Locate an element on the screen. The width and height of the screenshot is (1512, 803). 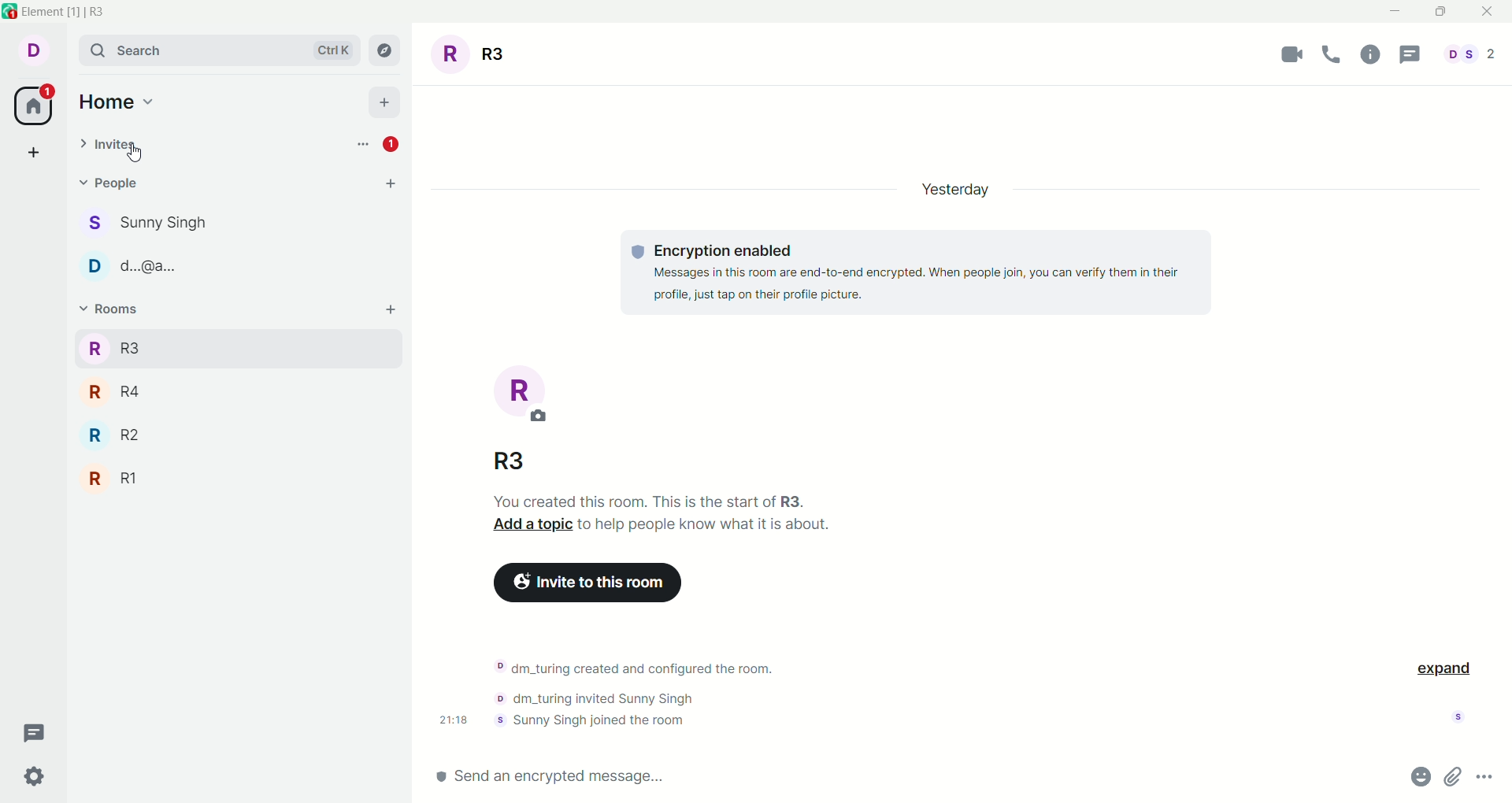
Explore rooms is located at coordinates (386, 50).